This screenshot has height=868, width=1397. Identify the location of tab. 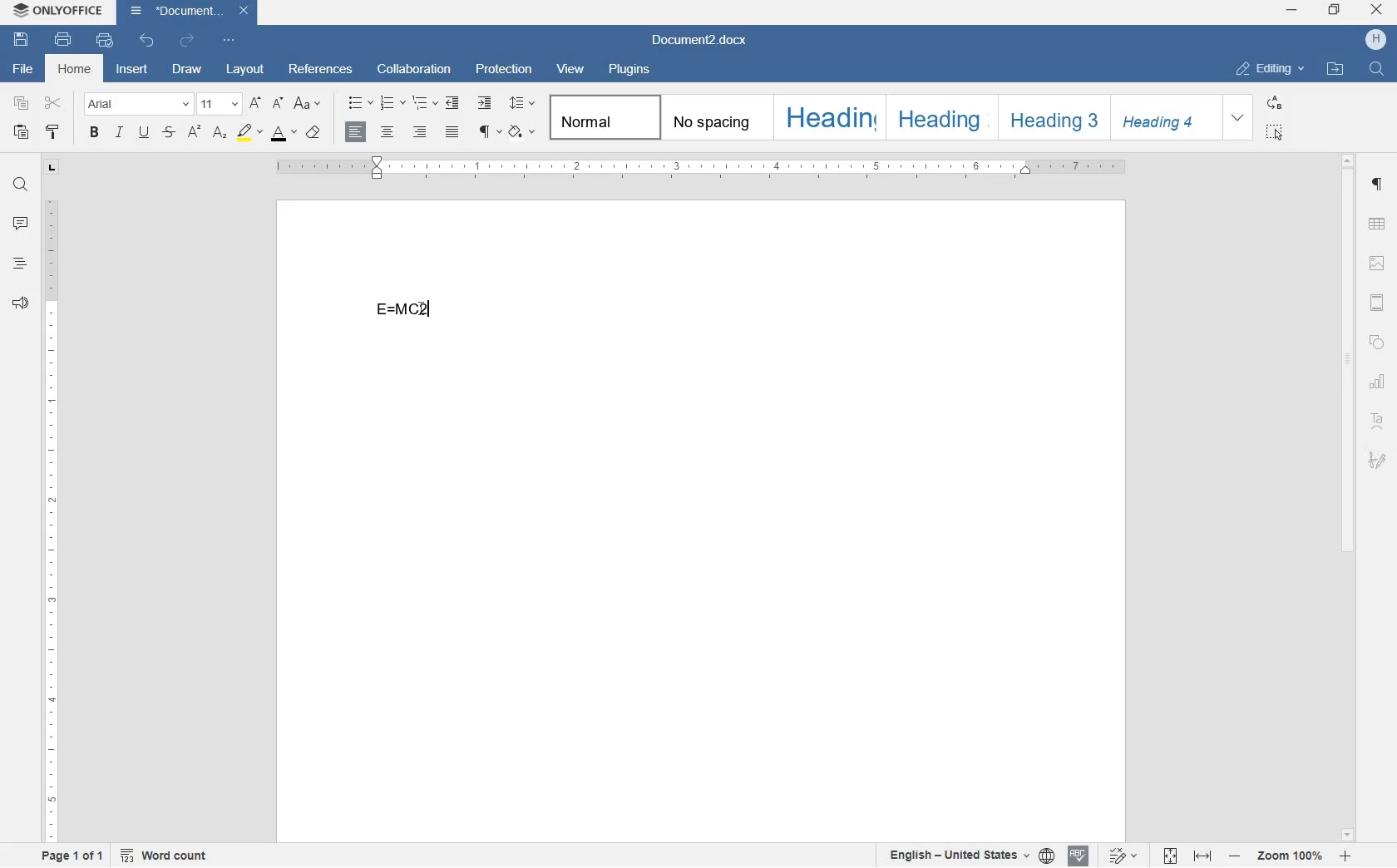
(51, 165).